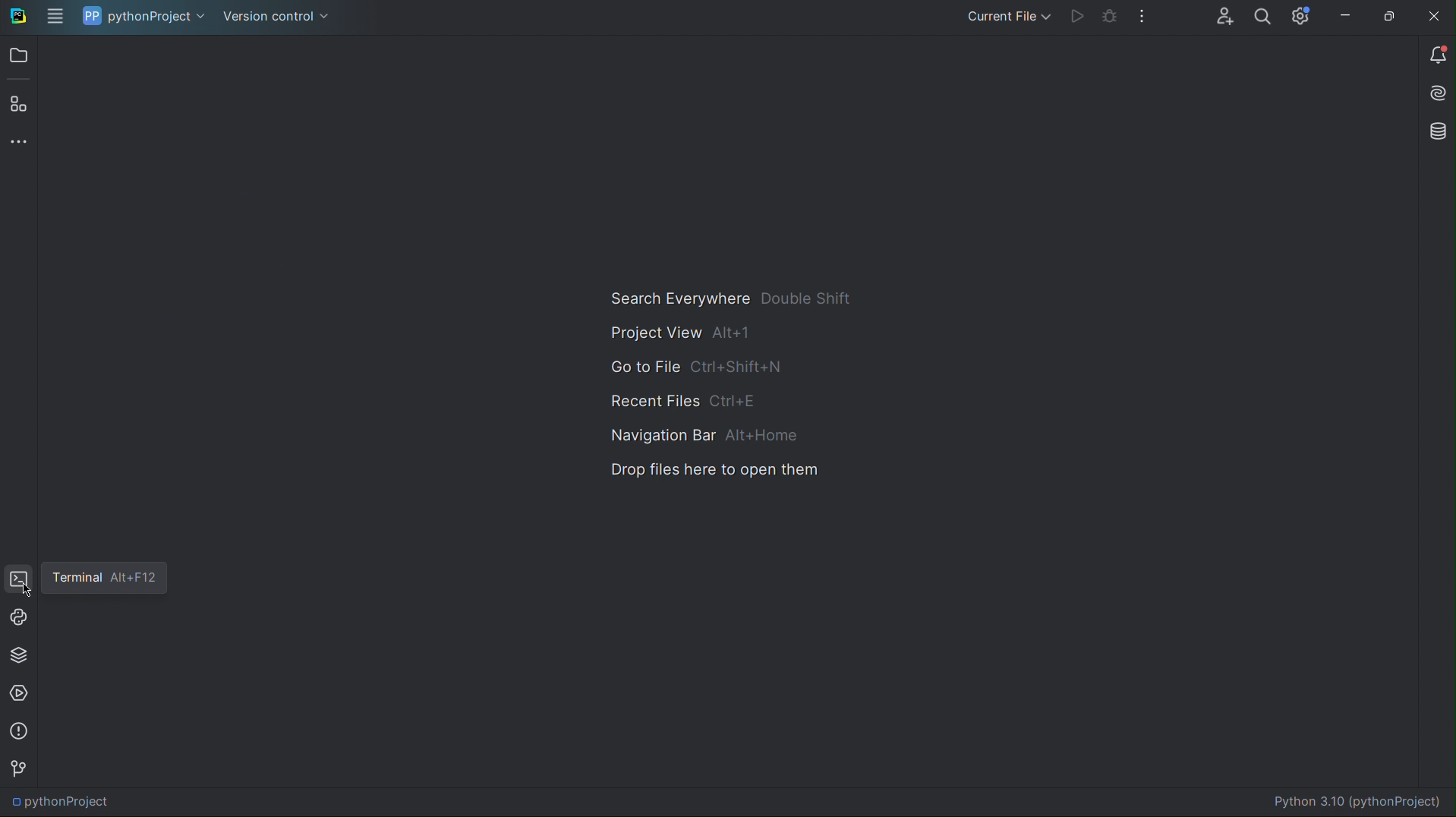 The height and width of the screenshot is (817, 1456). I want to click on Python 3.10 (pythonProject), so click(1361, 800).